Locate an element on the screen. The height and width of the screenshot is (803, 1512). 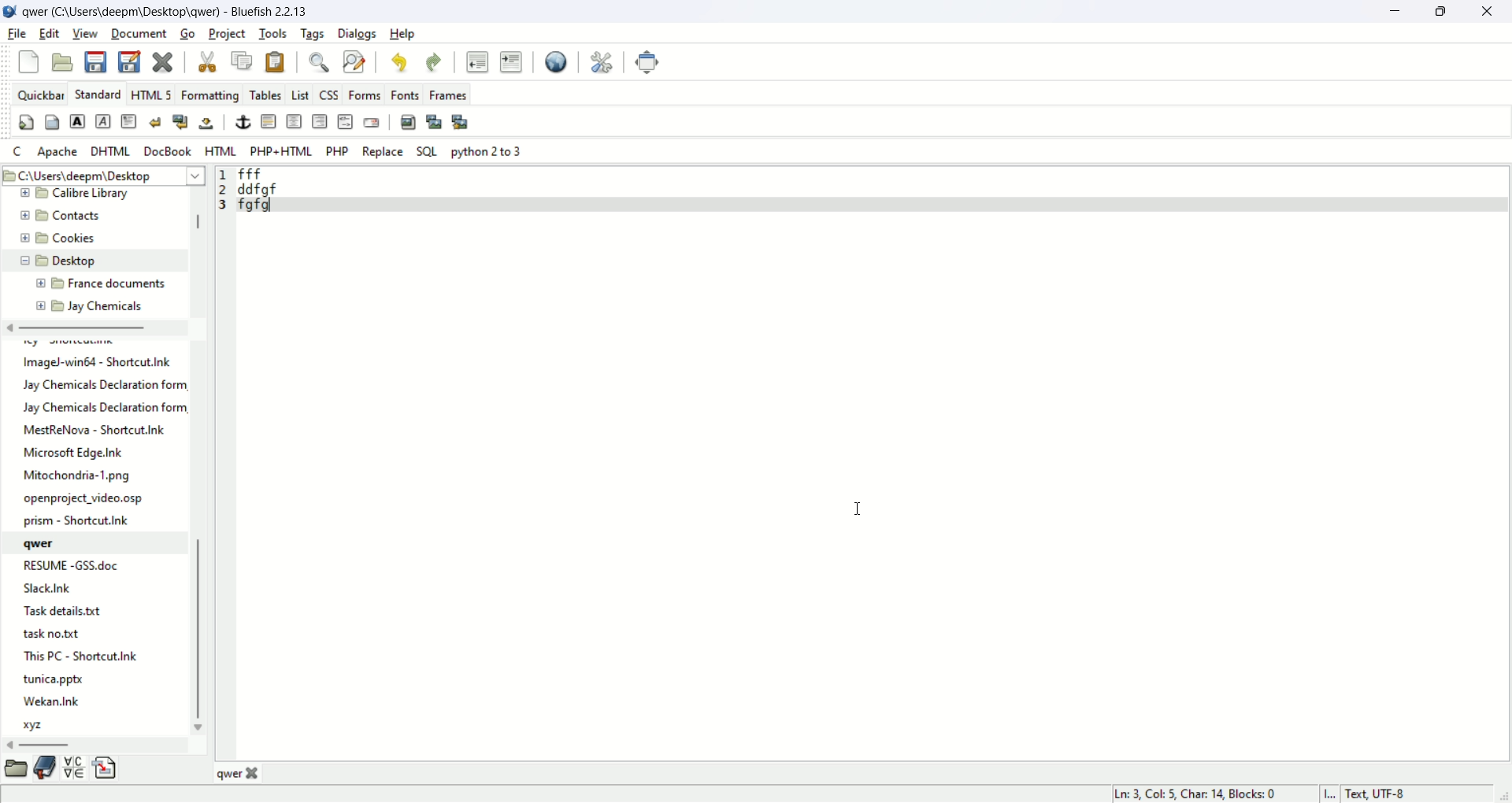
snippet is located at coordinates (106, 770).